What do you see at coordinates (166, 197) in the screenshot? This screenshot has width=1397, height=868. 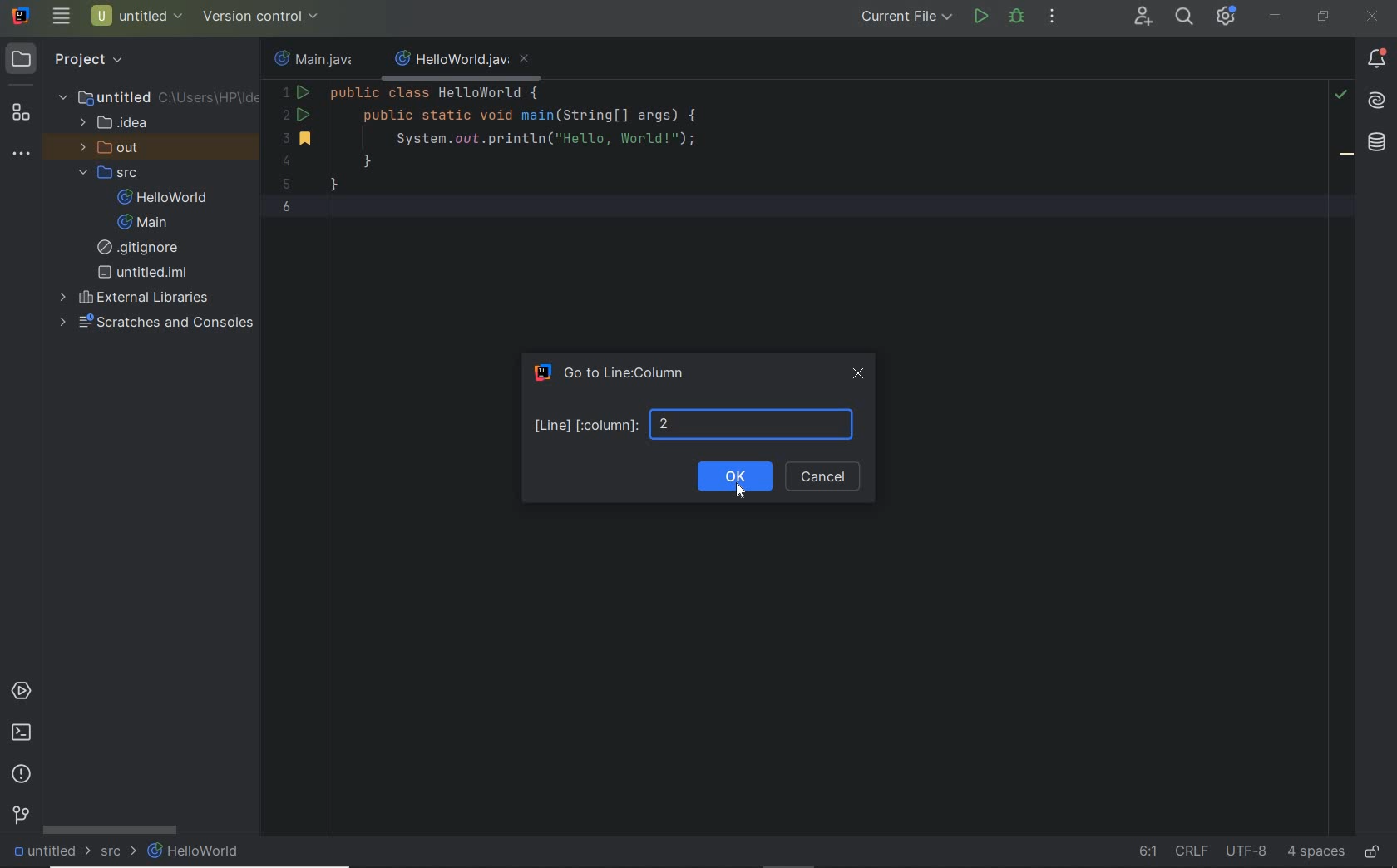 I see `HelloWorld` at bounding box center [166, 197].